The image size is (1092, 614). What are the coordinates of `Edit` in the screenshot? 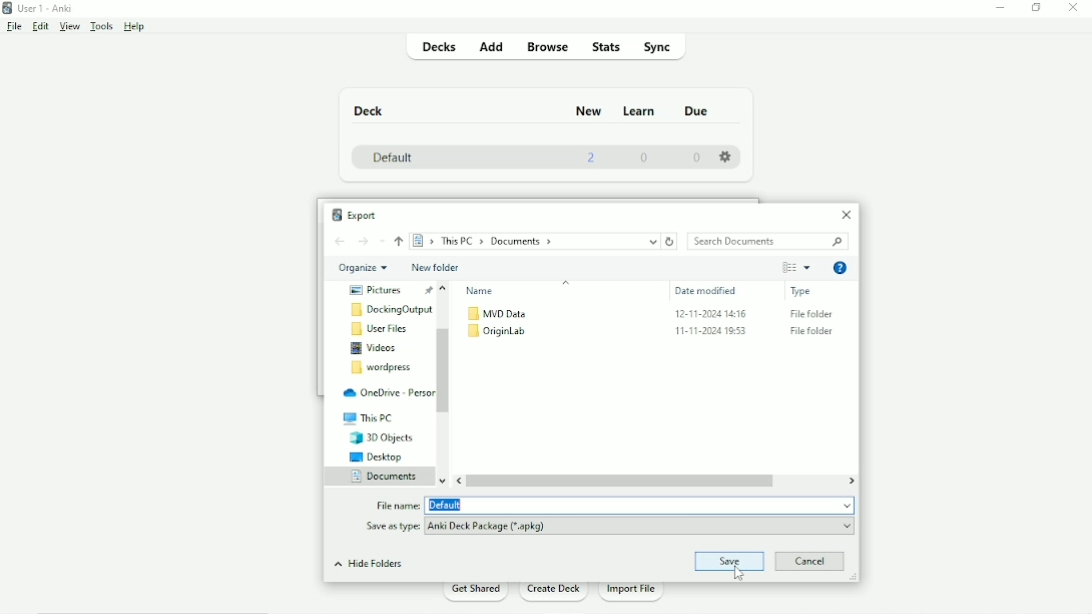 It's located at (40, 26).